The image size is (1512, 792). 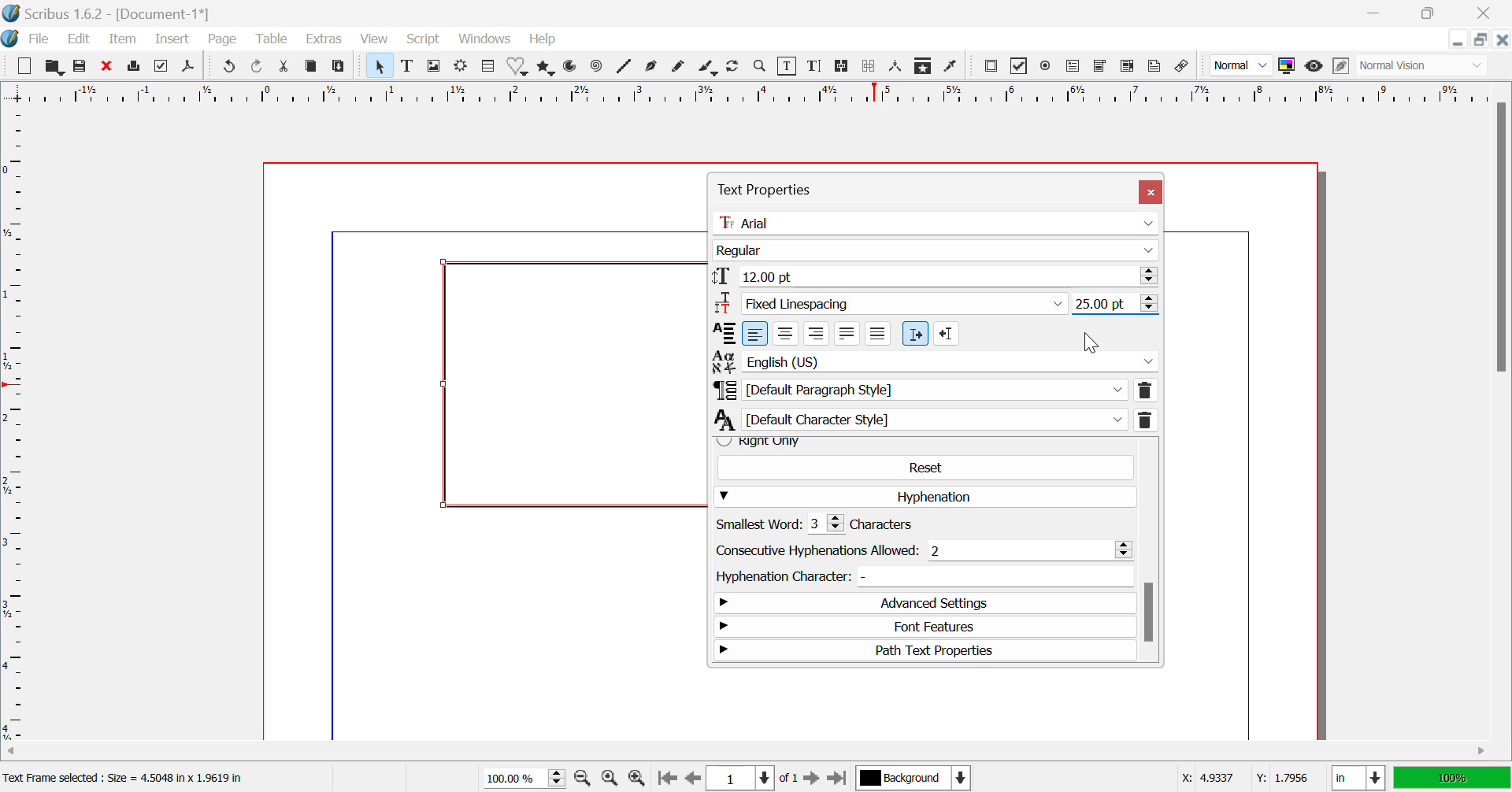 I want to click on Close, so click(x=1151, y=192).